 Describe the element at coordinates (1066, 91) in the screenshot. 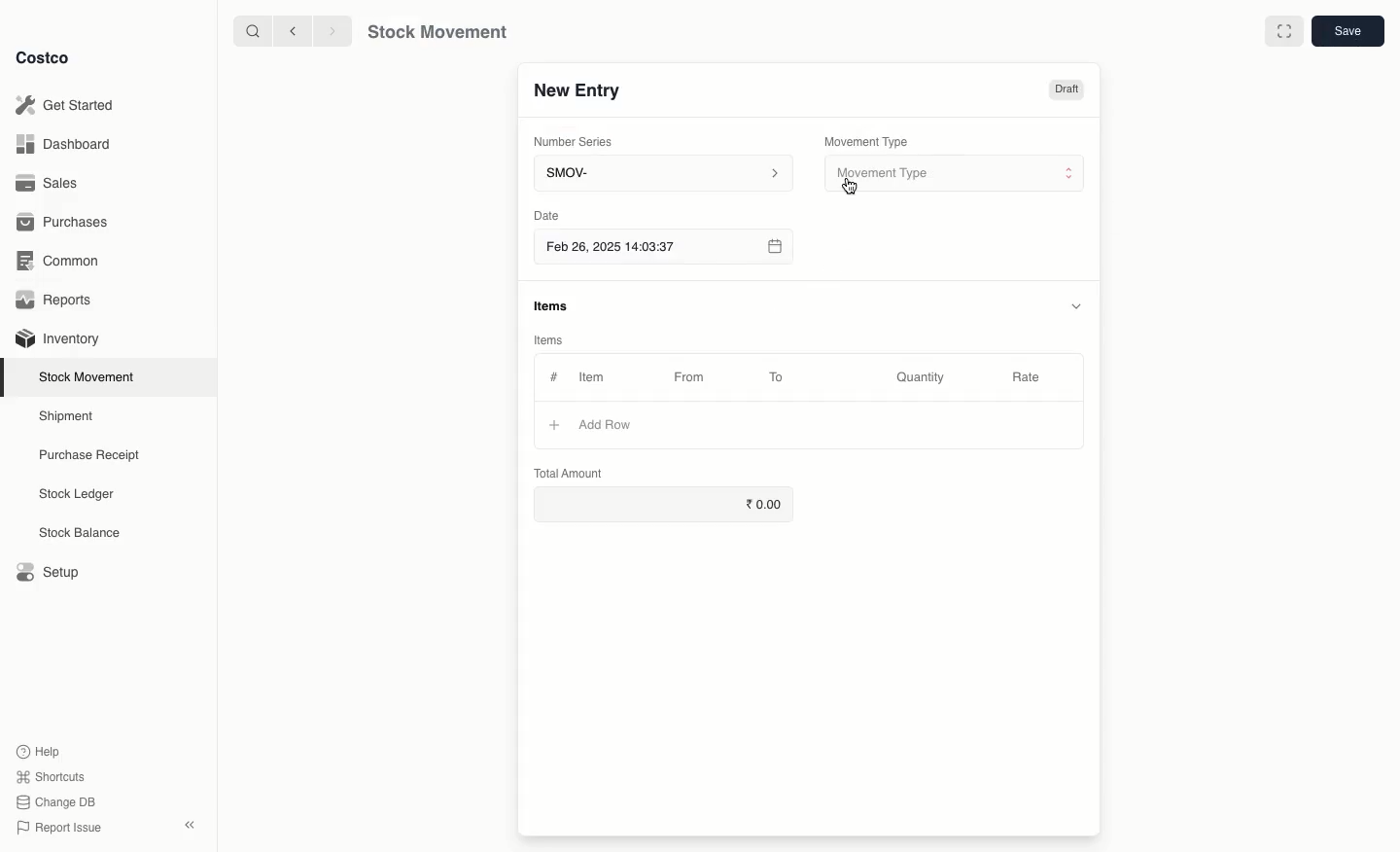

I see `Draft` at that location.